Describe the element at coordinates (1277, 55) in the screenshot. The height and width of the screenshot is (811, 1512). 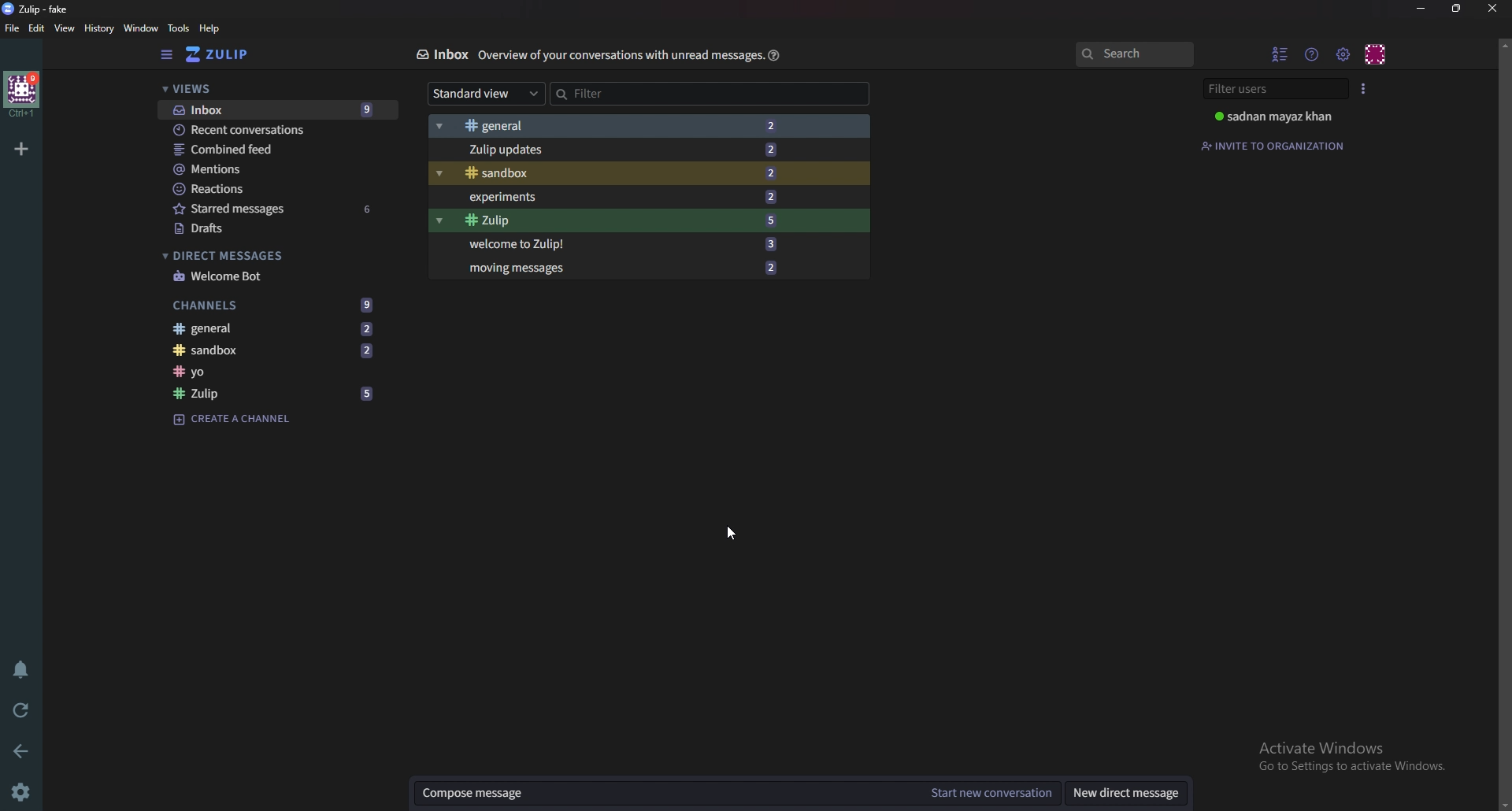
I see `Hide user list` at that location.